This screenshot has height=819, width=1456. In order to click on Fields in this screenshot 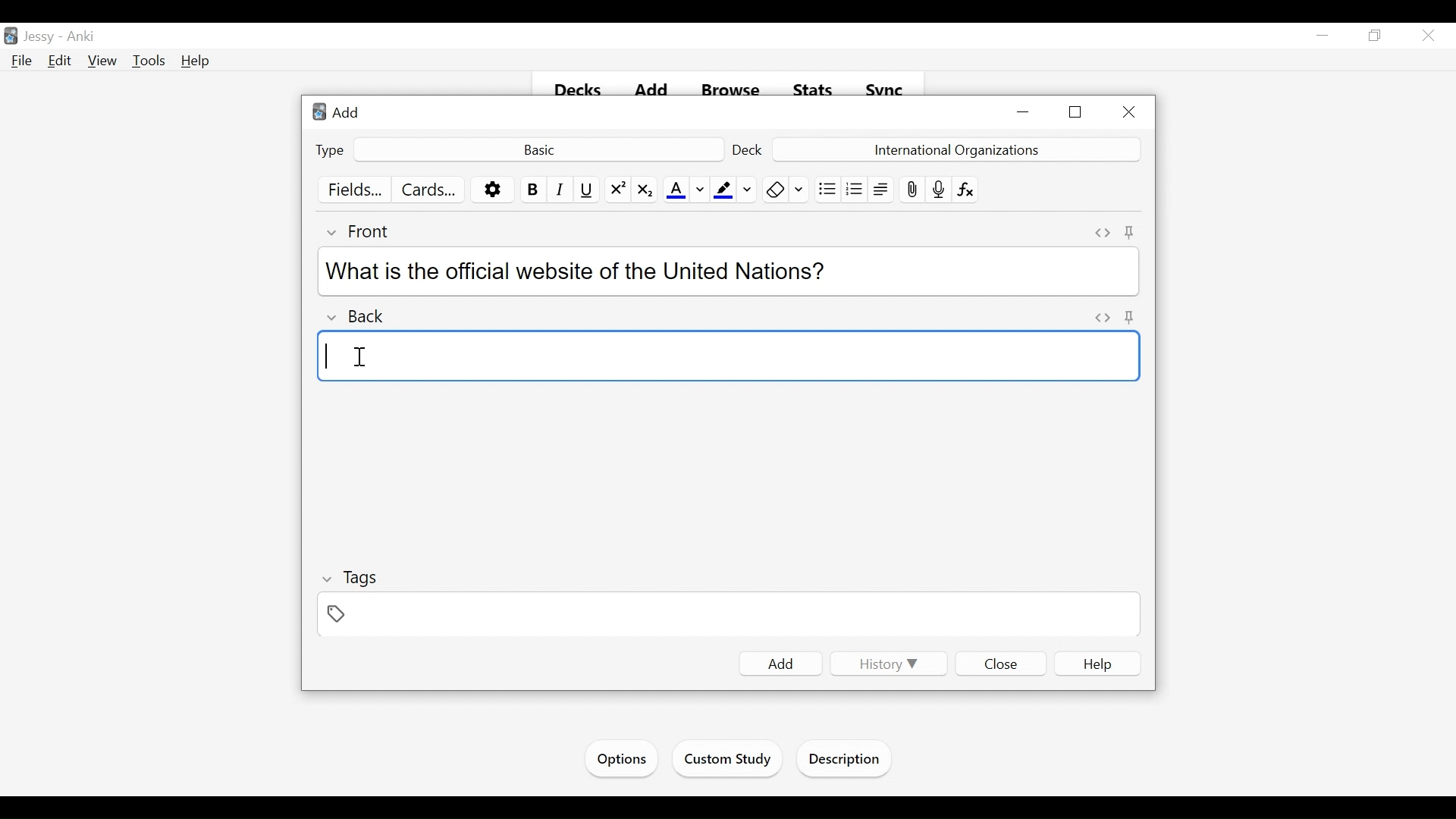, I will do `click(349, 189)`.